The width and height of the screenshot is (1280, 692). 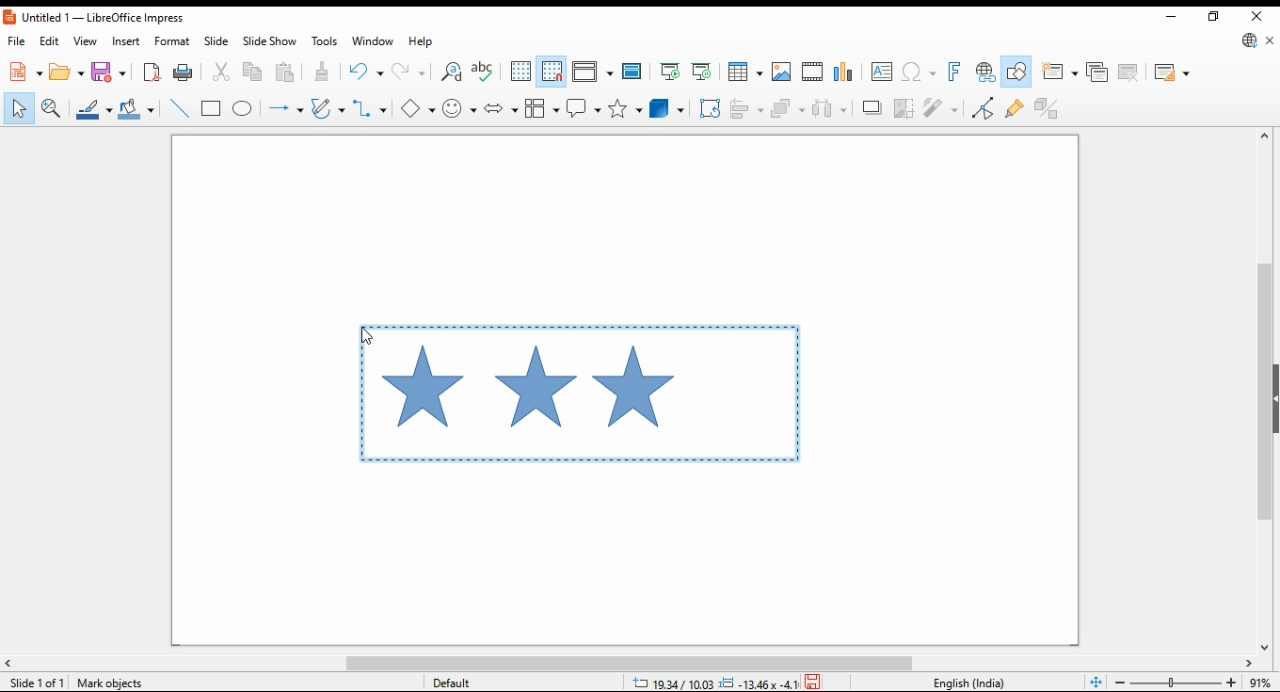 What do you see at coordinates (541, 108) in the screenshot?
I see `flowchart` at bounding box center [541, 108].